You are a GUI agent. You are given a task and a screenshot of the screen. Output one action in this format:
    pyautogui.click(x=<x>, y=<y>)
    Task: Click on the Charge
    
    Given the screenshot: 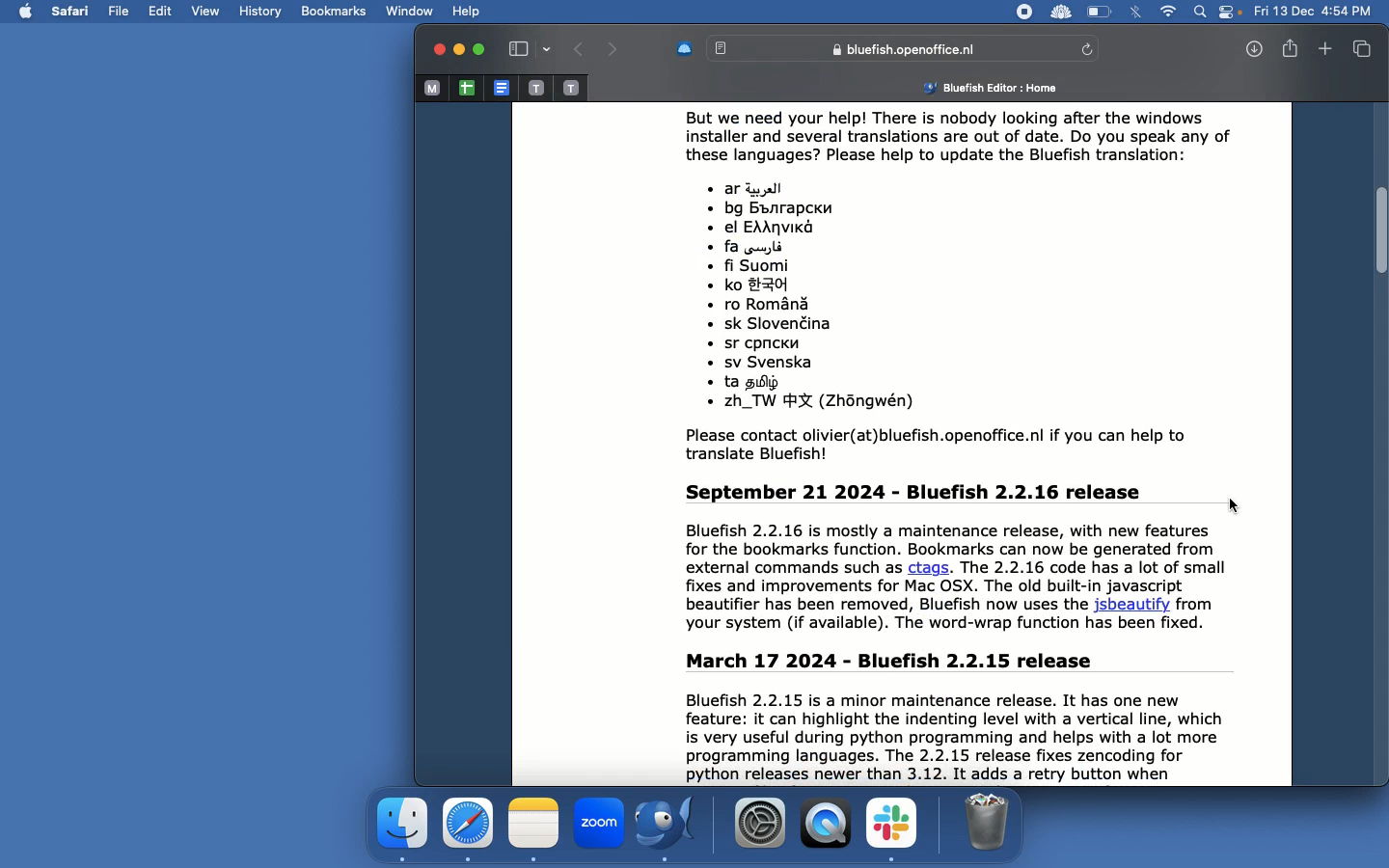 What is the action you would take?
    pyautogui.click(x=1100, y=13)
    